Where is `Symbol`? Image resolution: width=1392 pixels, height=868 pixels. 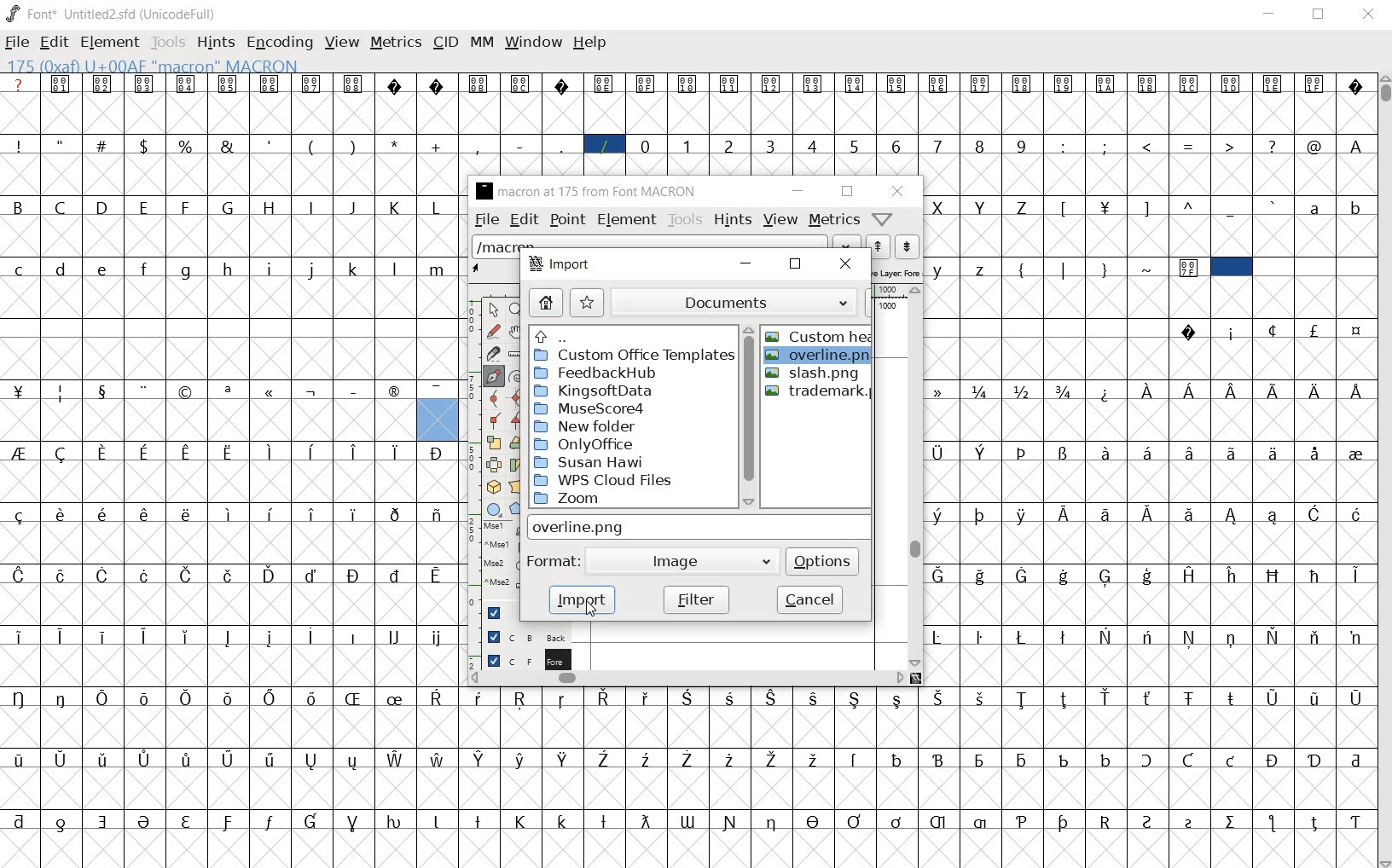
Symbol is located at coordinates (983, 84).